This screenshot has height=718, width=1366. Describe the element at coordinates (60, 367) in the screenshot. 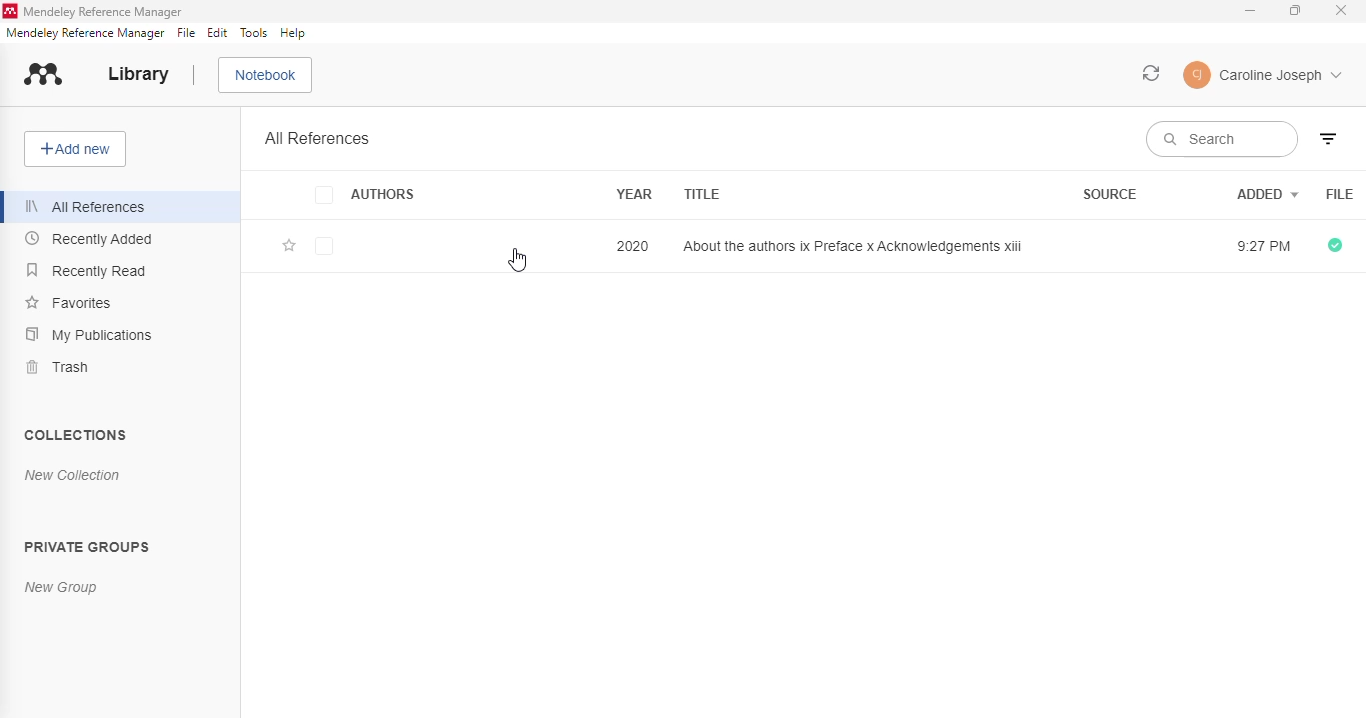

I see `trash` at that location.